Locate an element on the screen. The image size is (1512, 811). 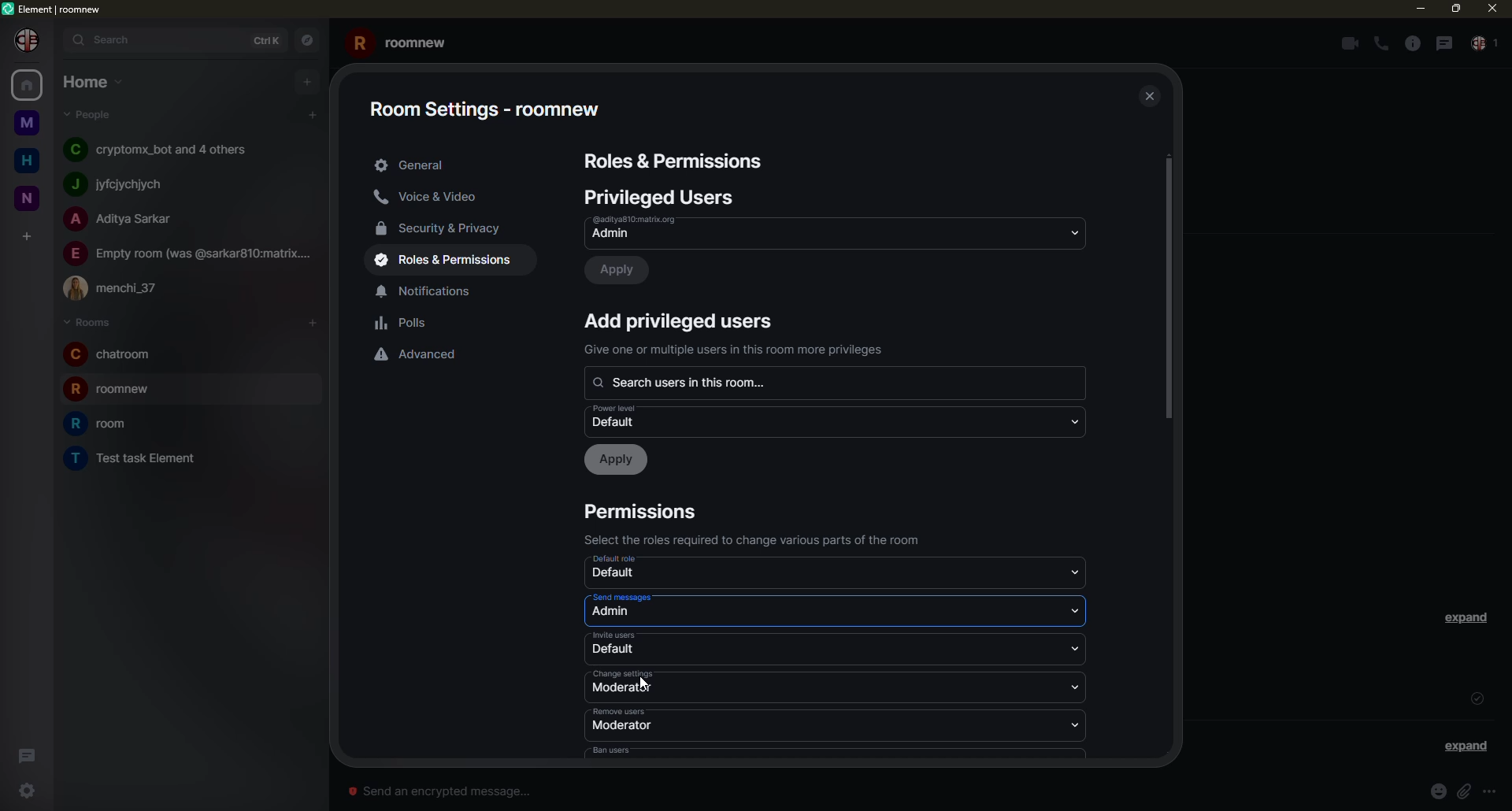
drop is located at coordinates (1073, 420).